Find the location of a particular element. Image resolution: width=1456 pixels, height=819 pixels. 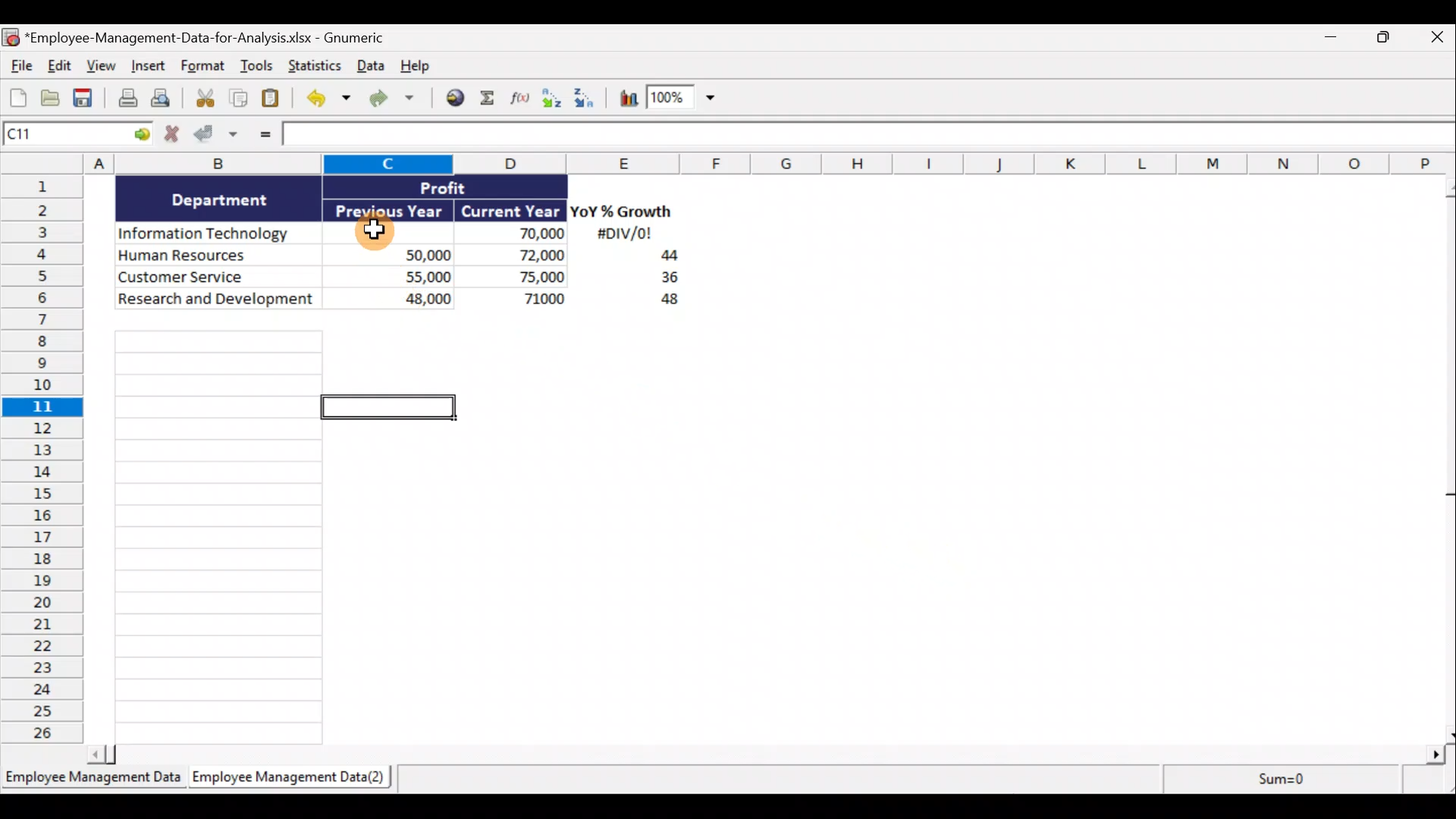

Help is located at coordinates (420, 64).